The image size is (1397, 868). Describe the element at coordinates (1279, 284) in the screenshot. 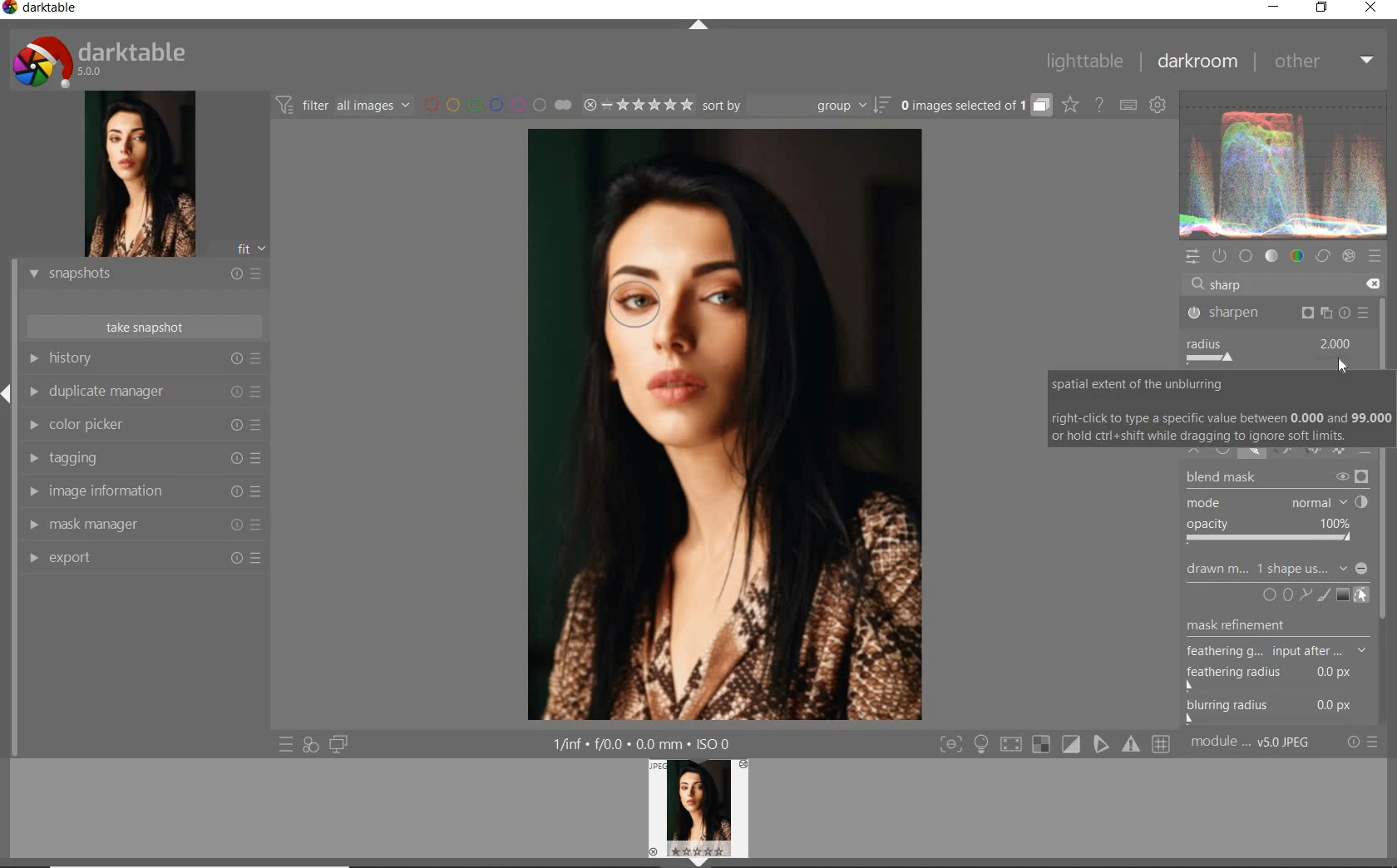

I see `search modules by name` at that location.